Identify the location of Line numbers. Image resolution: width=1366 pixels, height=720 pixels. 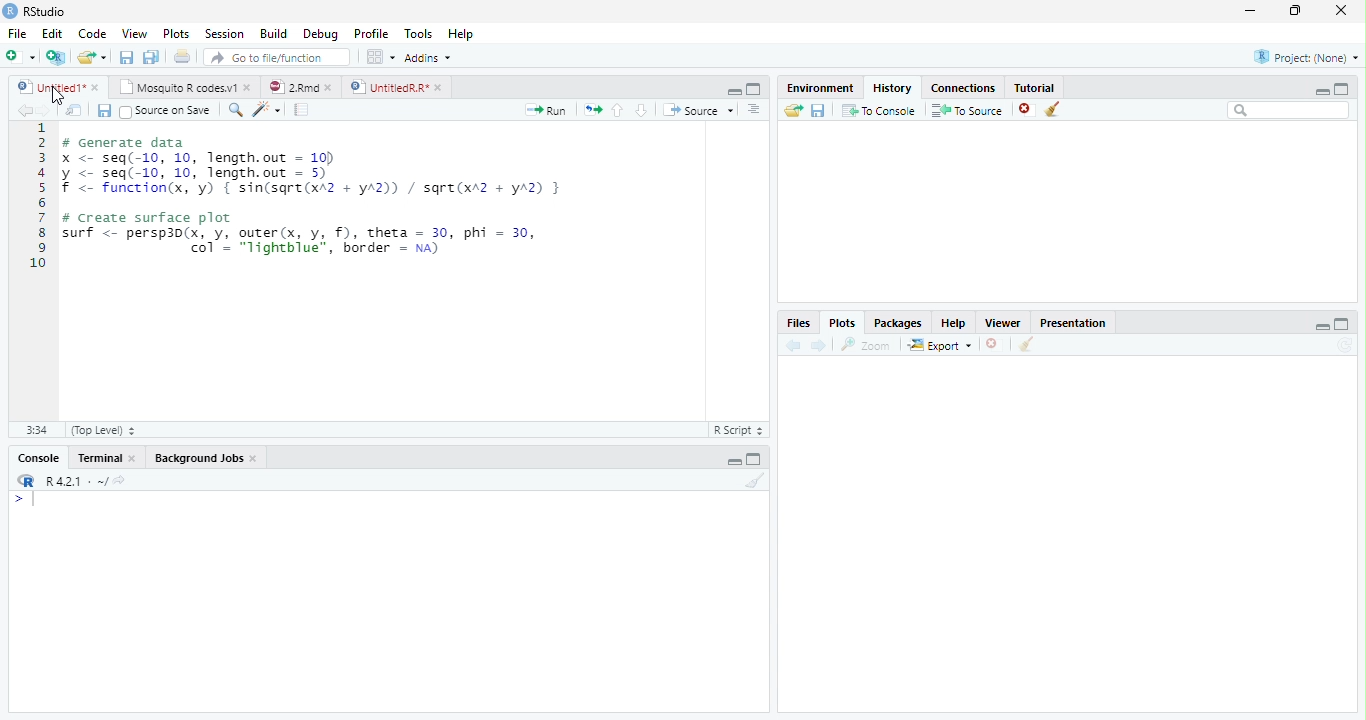
(38, 196).